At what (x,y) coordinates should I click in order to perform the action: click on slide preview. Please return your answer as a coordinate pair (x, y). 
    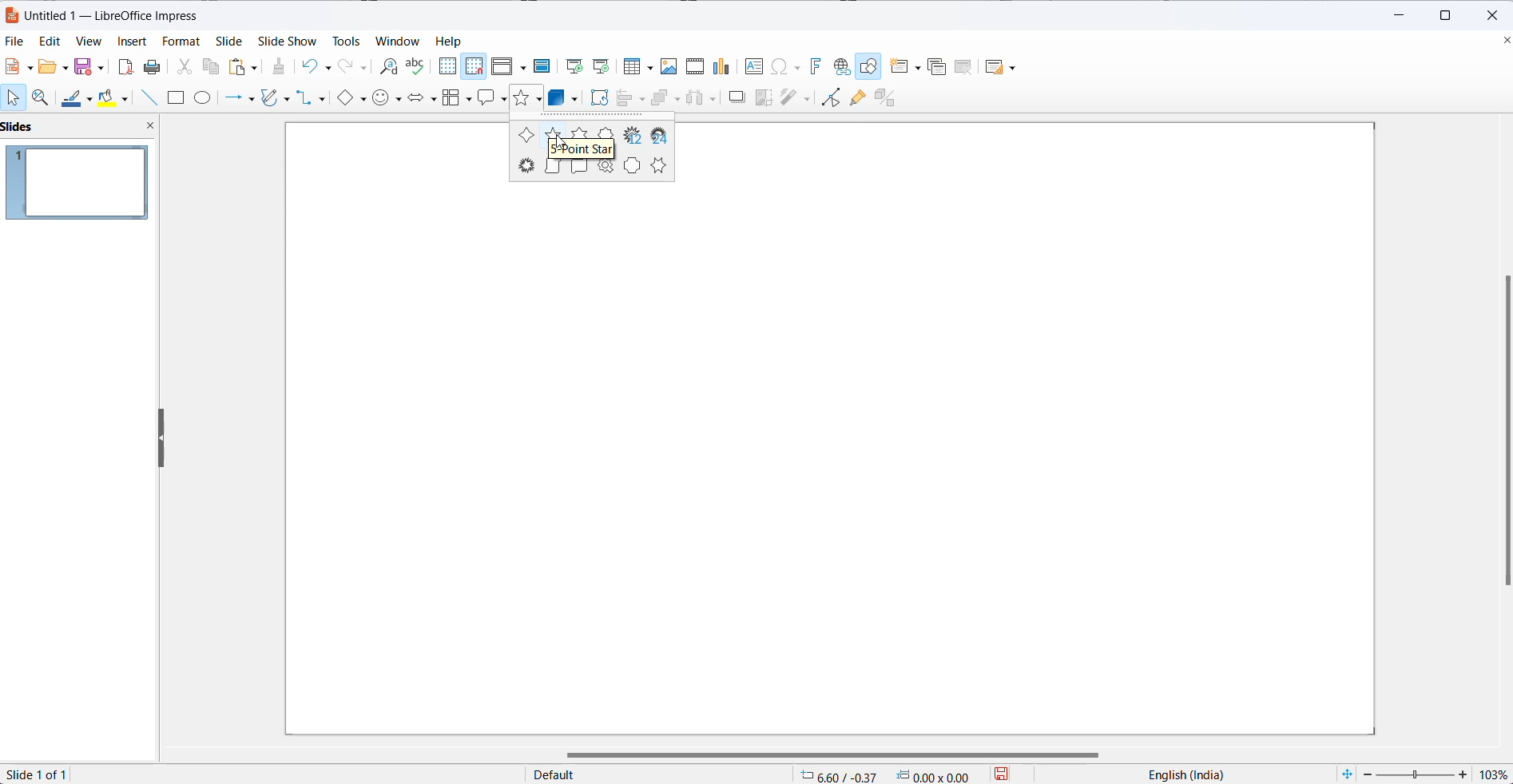
    Looking at the image, I should click on (77, 184).